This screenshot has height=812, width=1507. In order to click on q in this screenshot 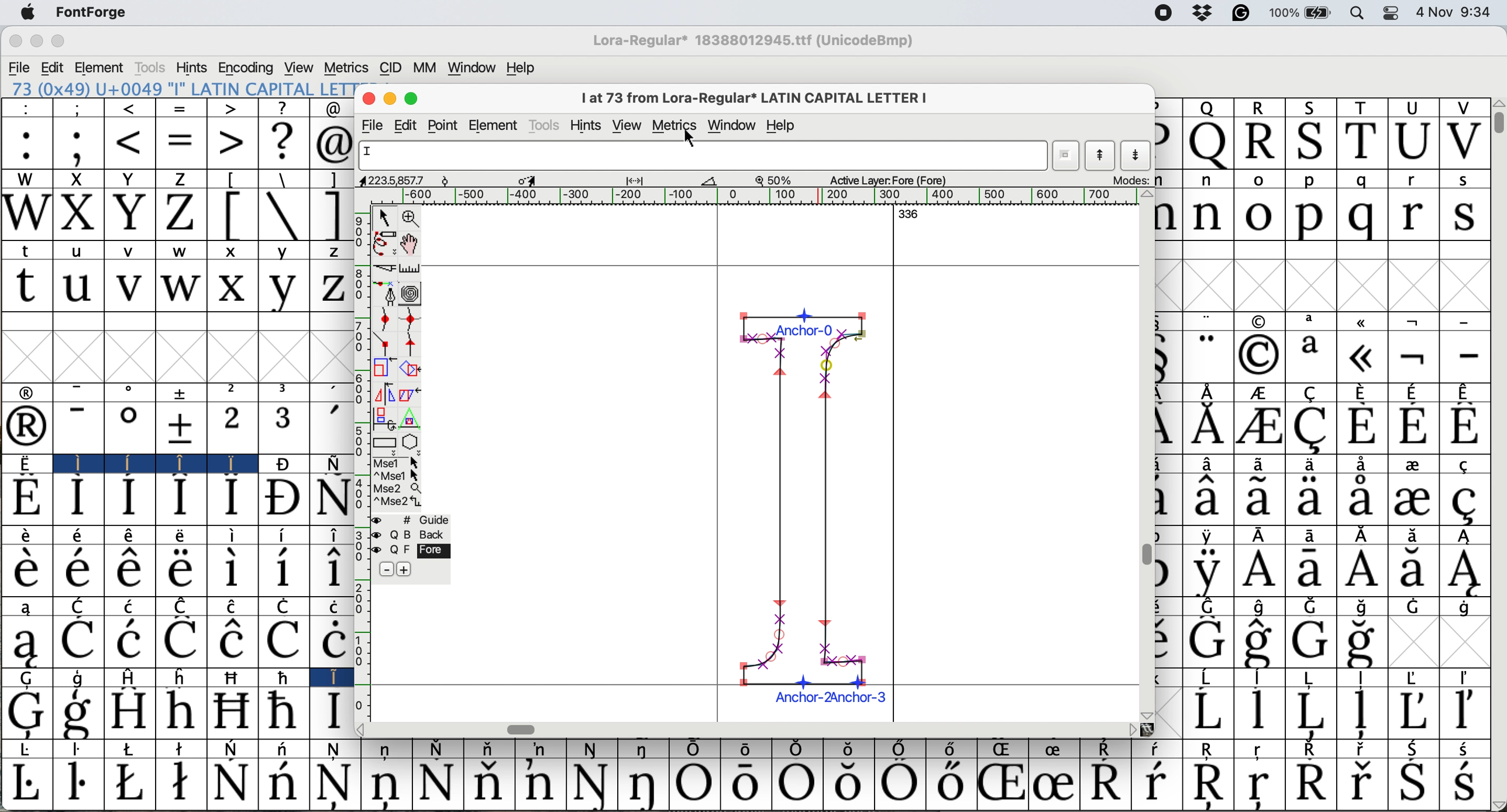, I will do `click(1357, 217)`.